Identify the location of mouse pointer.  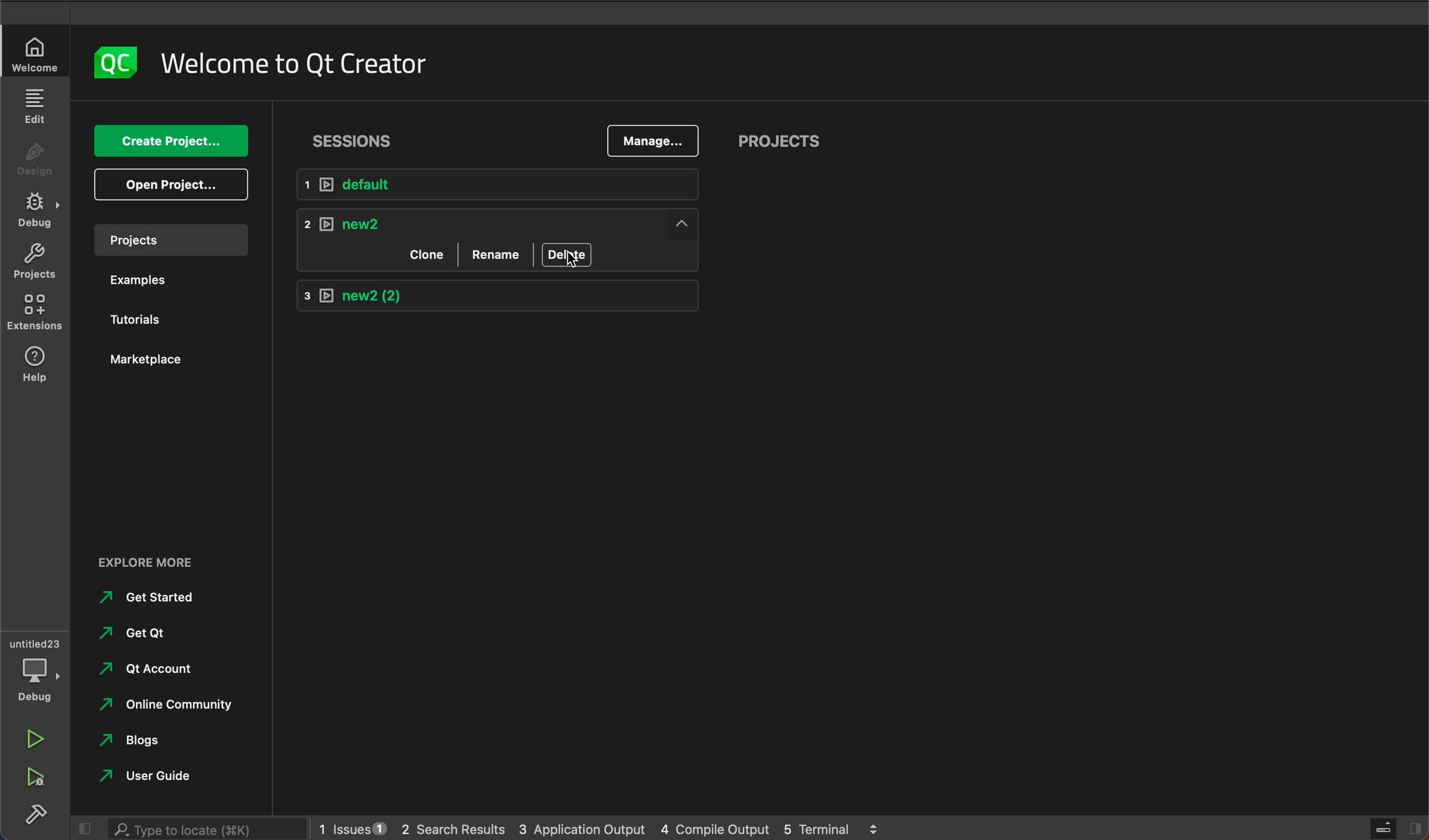
(582, 261).